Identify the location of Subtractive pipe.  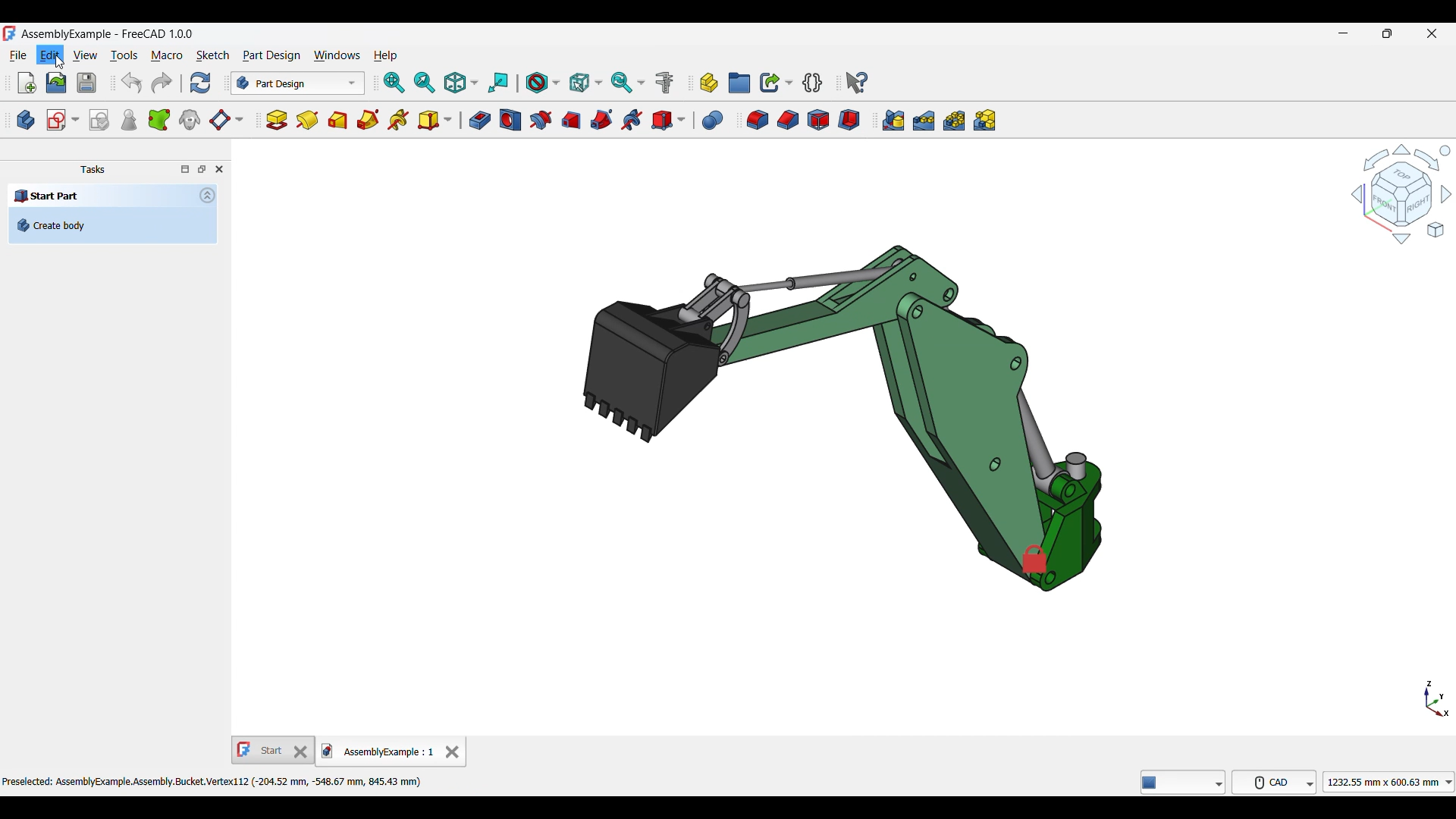
(602, 120).